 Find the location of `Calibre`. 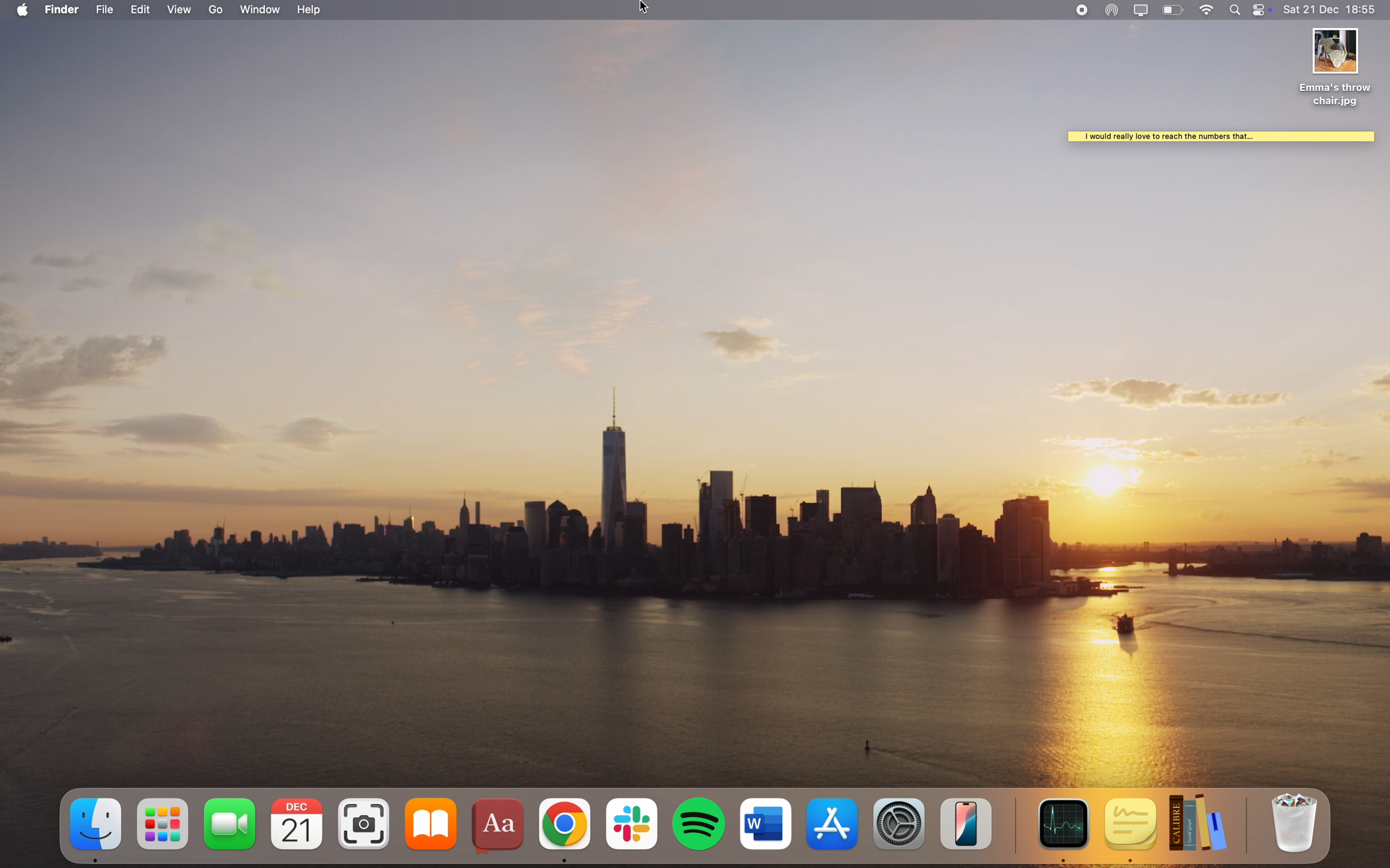

Calibre is located at coordinates (64, 9).